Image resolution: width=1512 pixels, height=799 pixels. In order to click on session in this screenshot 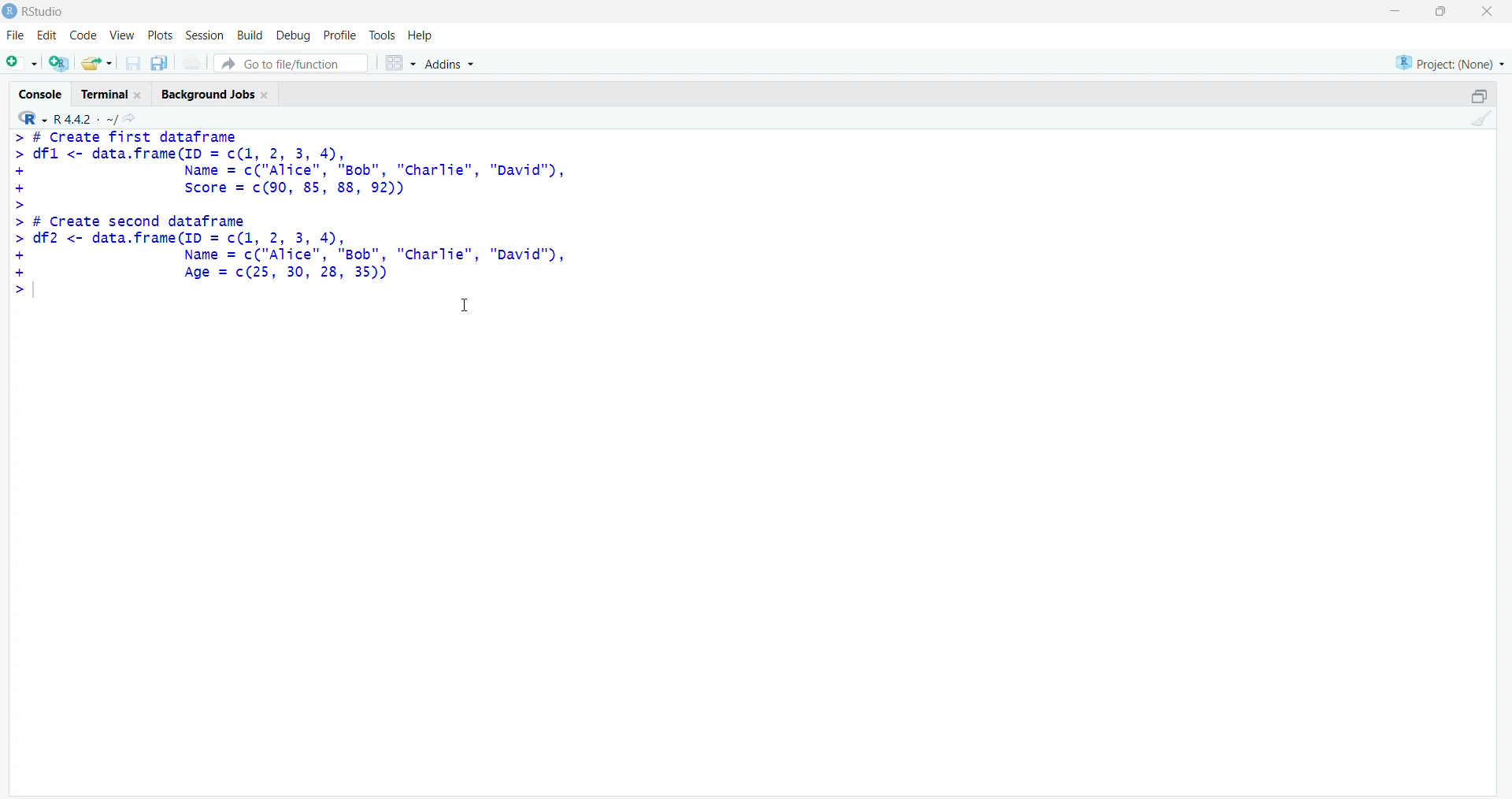, I will do `click(208, 35)`.